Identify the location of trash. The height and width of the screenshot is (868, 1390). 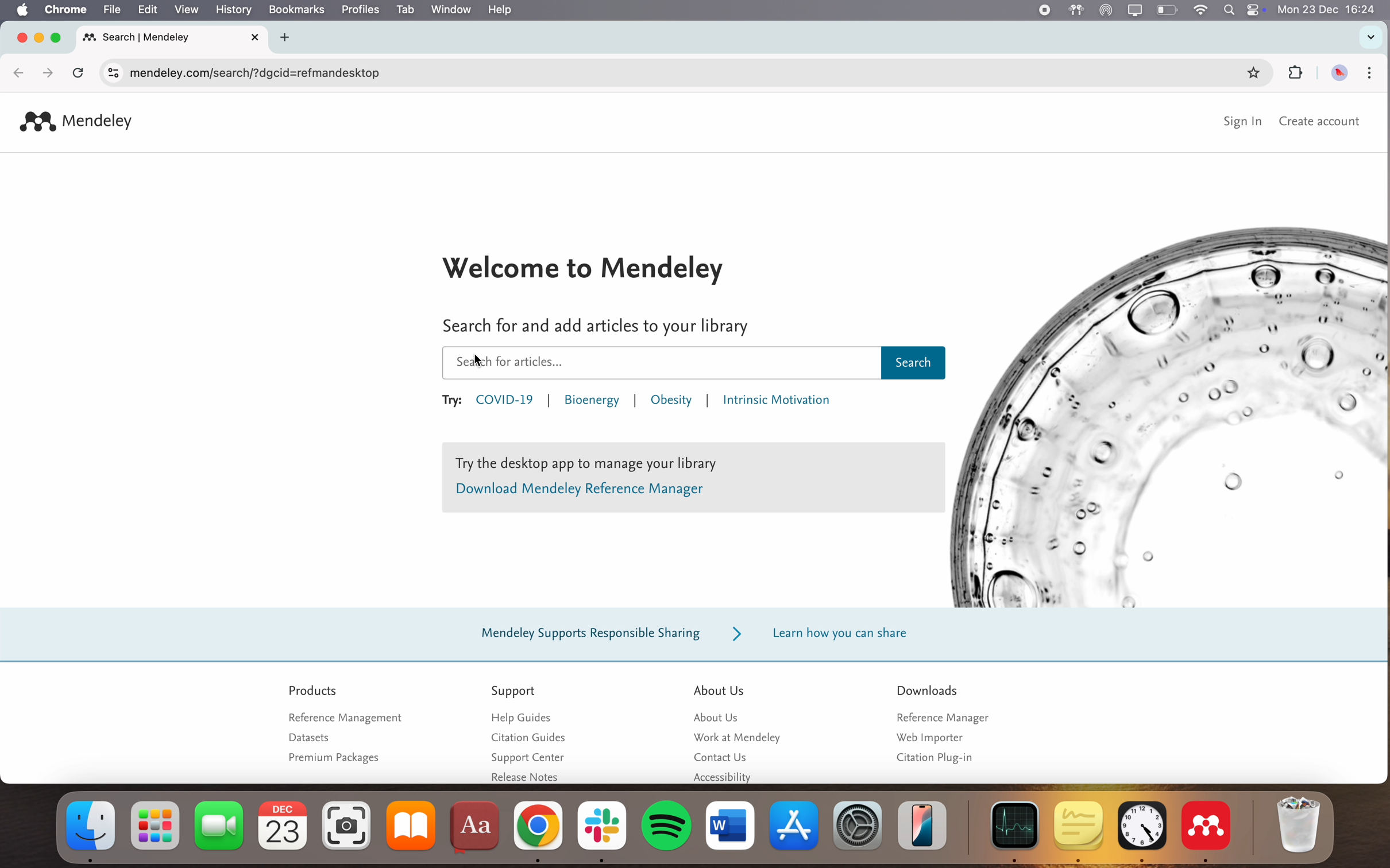
(1300, 823).